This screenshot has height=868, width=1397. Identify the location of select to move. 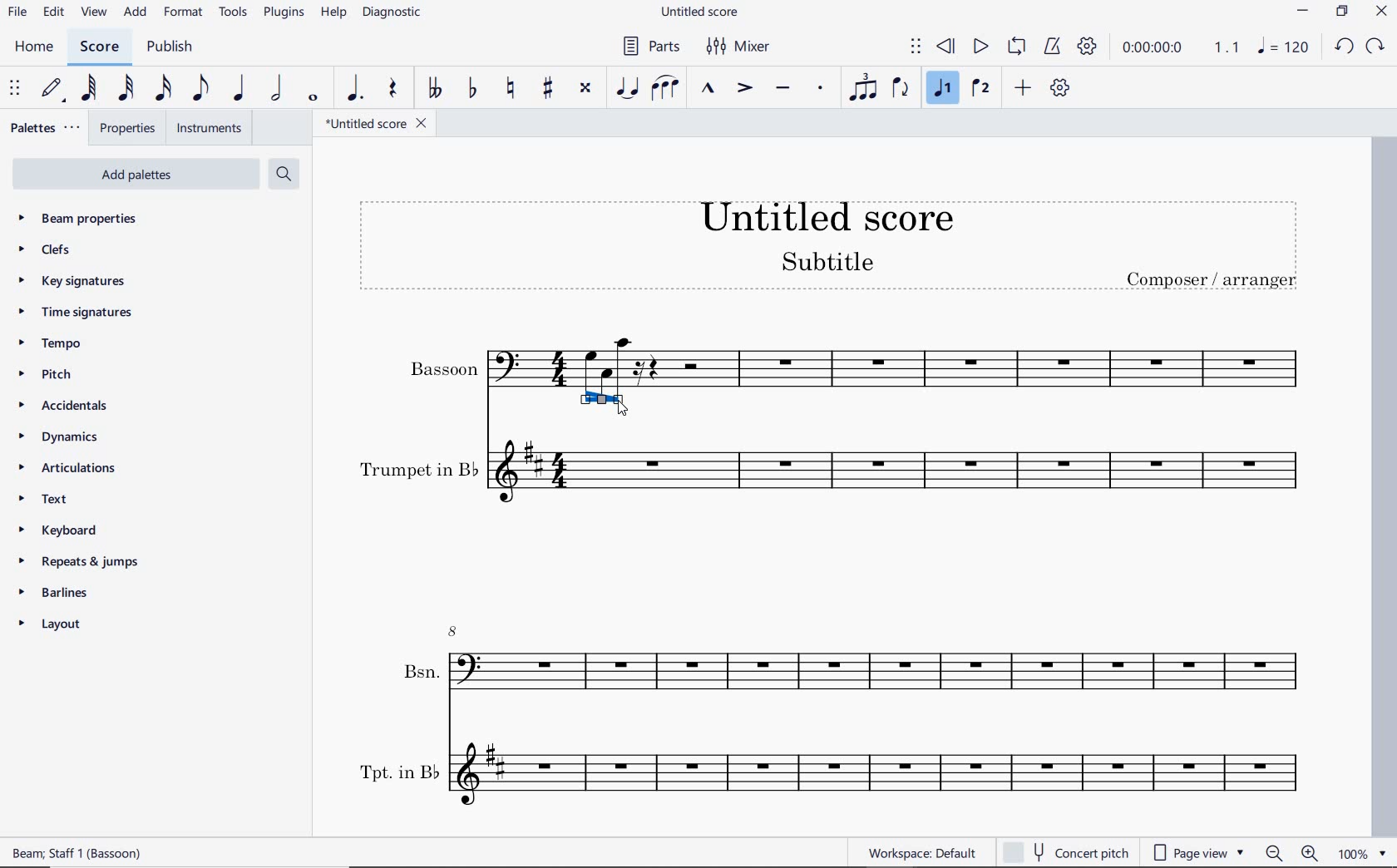
(916, 46).